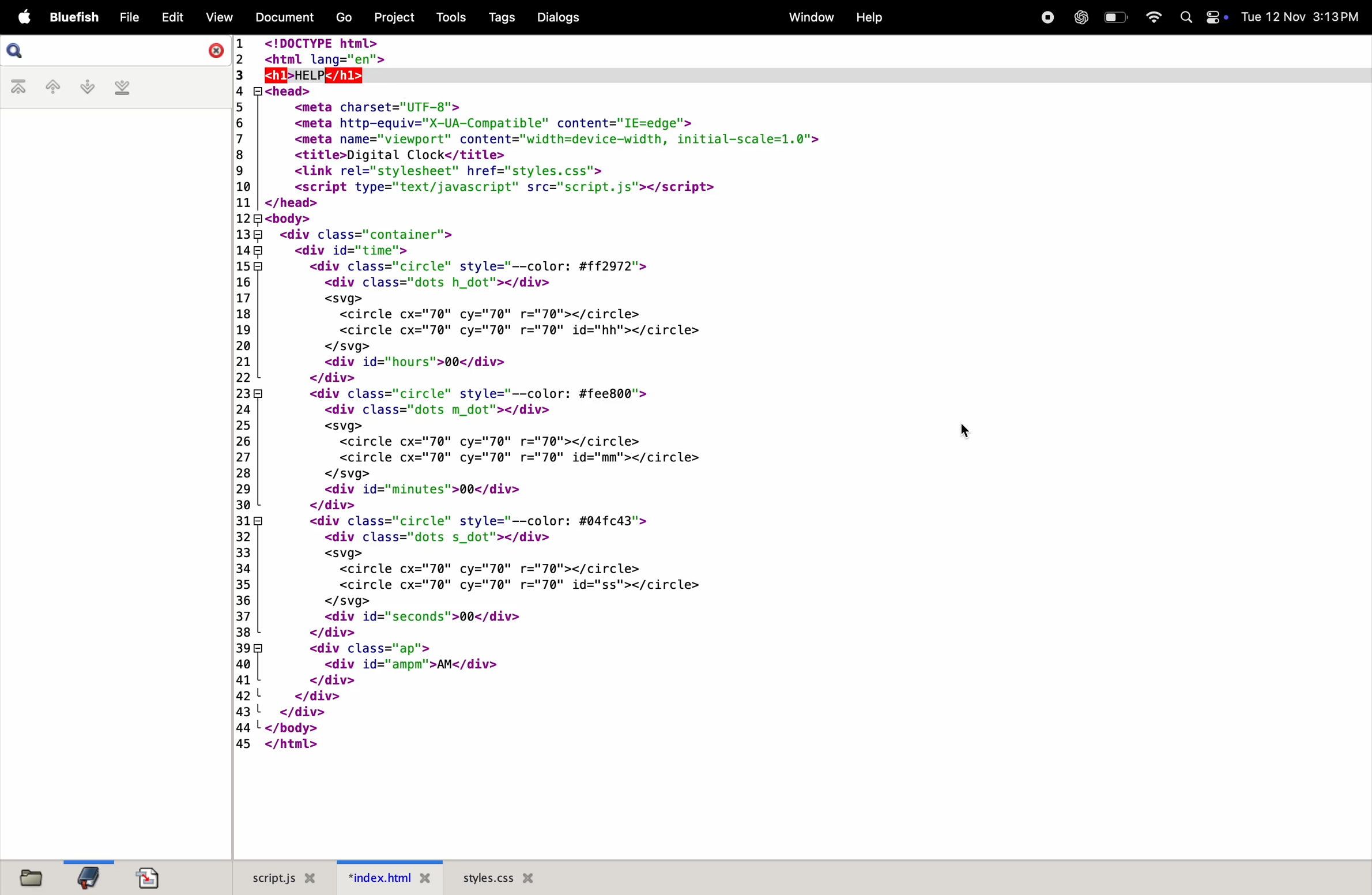 The width and height of the screenshot is (1372, 895). Describe the element at coordinates (392, 16) in the screenshot. I see `project` at that location.